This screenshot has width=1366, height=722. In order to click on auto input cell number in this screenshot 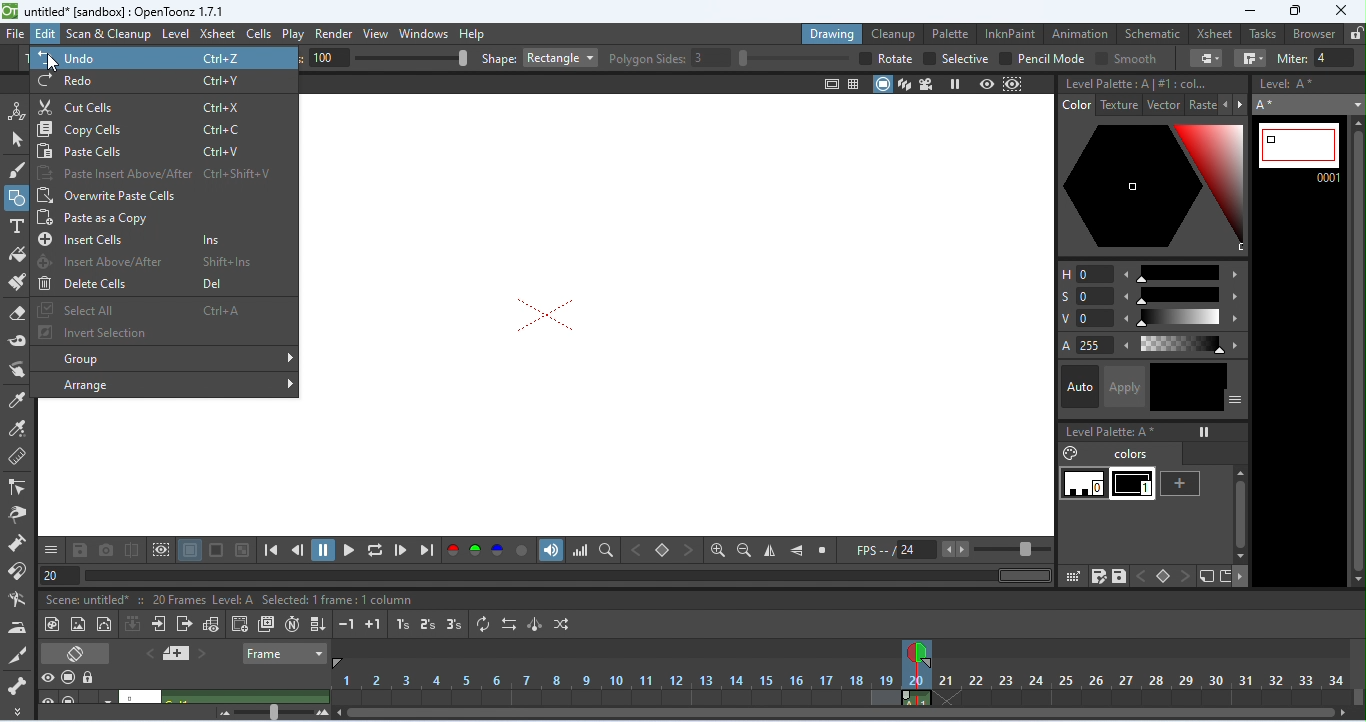, I will do `click(296, 626)`.